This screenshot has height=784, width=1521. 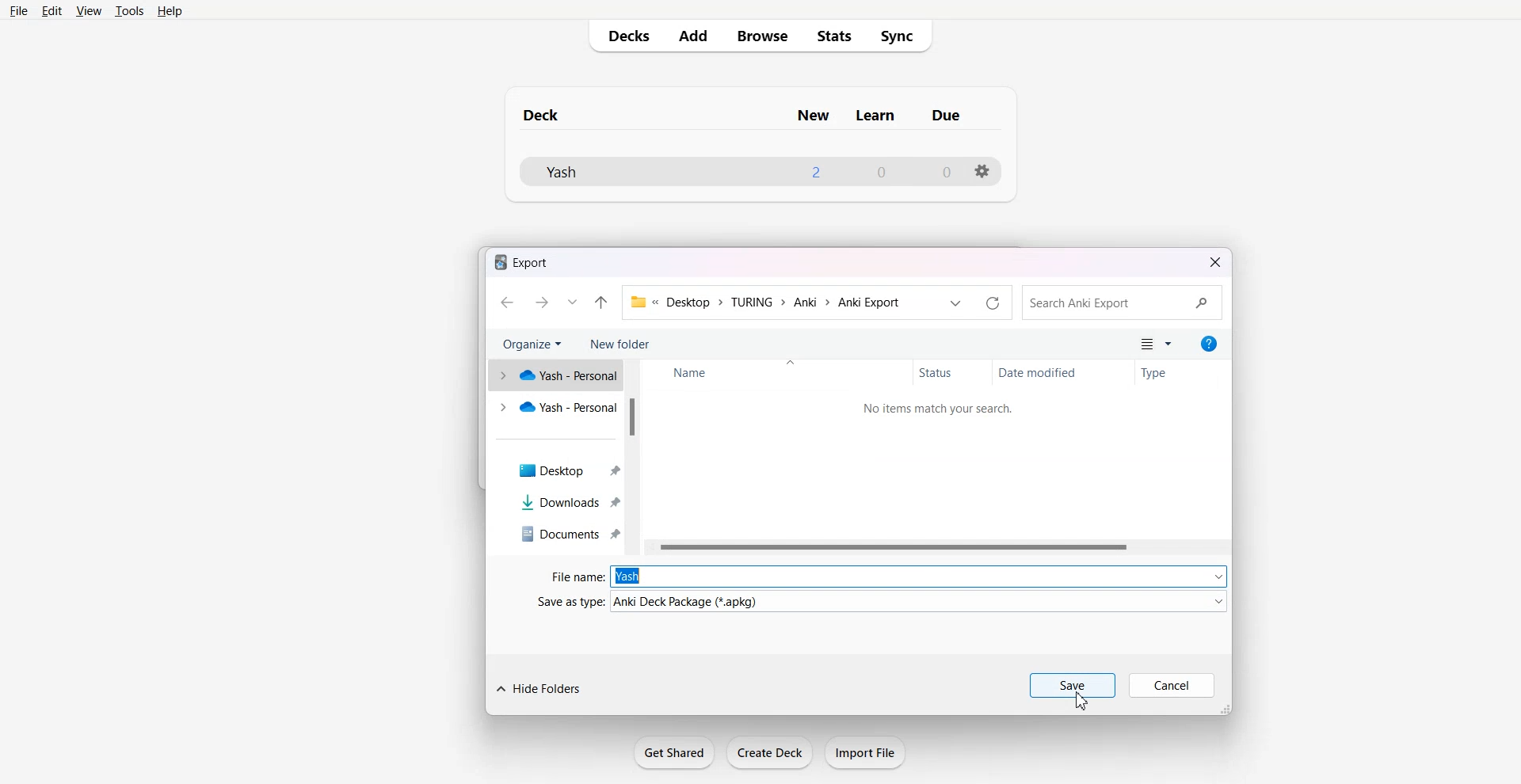 What do you see at coordinates (1082, 701) in the screenshot?
I see `cursor` at bounding box center [1082, 701].